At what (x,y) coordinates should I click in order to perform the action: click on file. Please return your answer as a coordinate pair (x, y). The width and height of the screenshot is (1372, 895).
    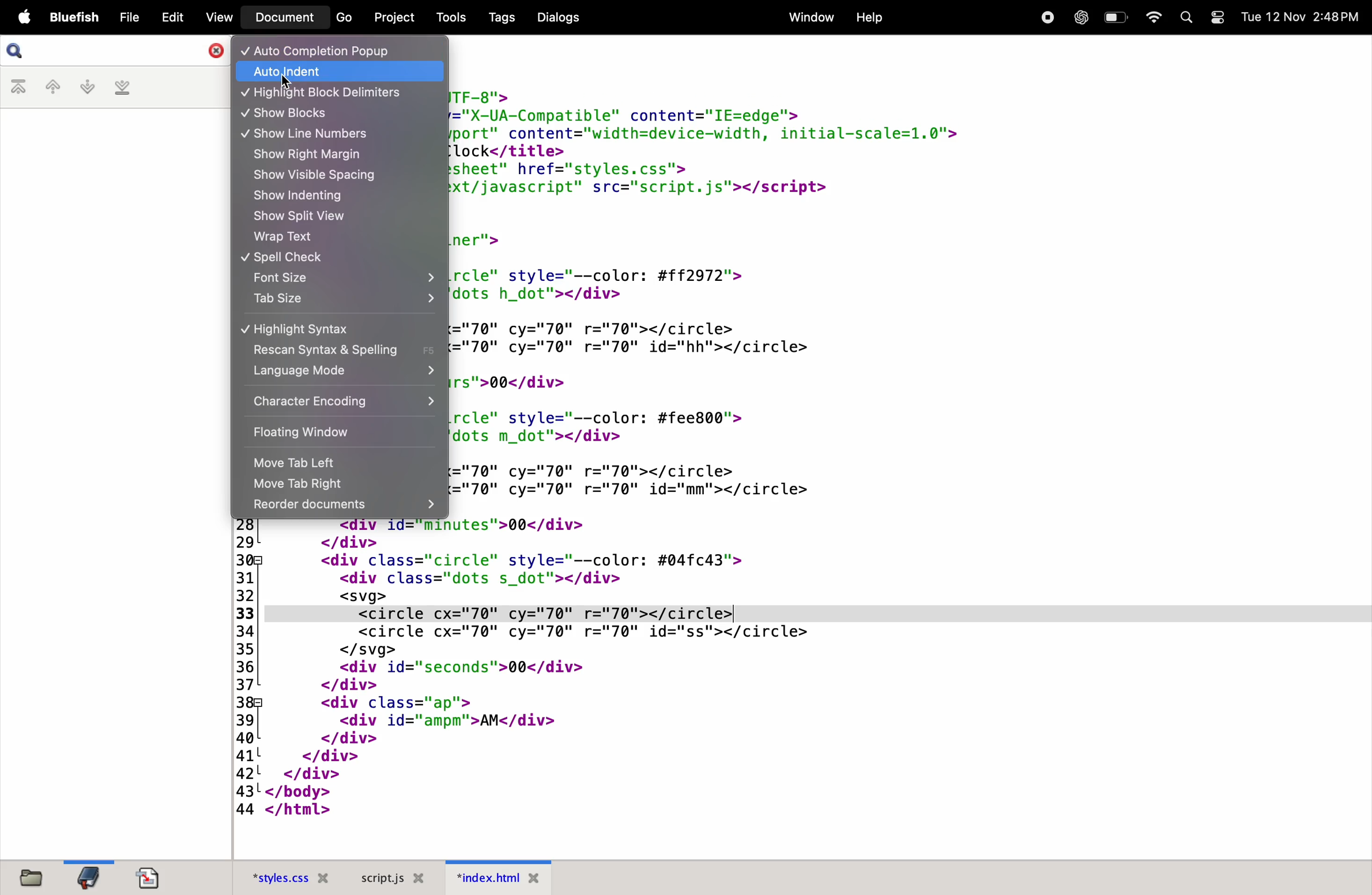
    Looking at the image, I should click on (127, 17).